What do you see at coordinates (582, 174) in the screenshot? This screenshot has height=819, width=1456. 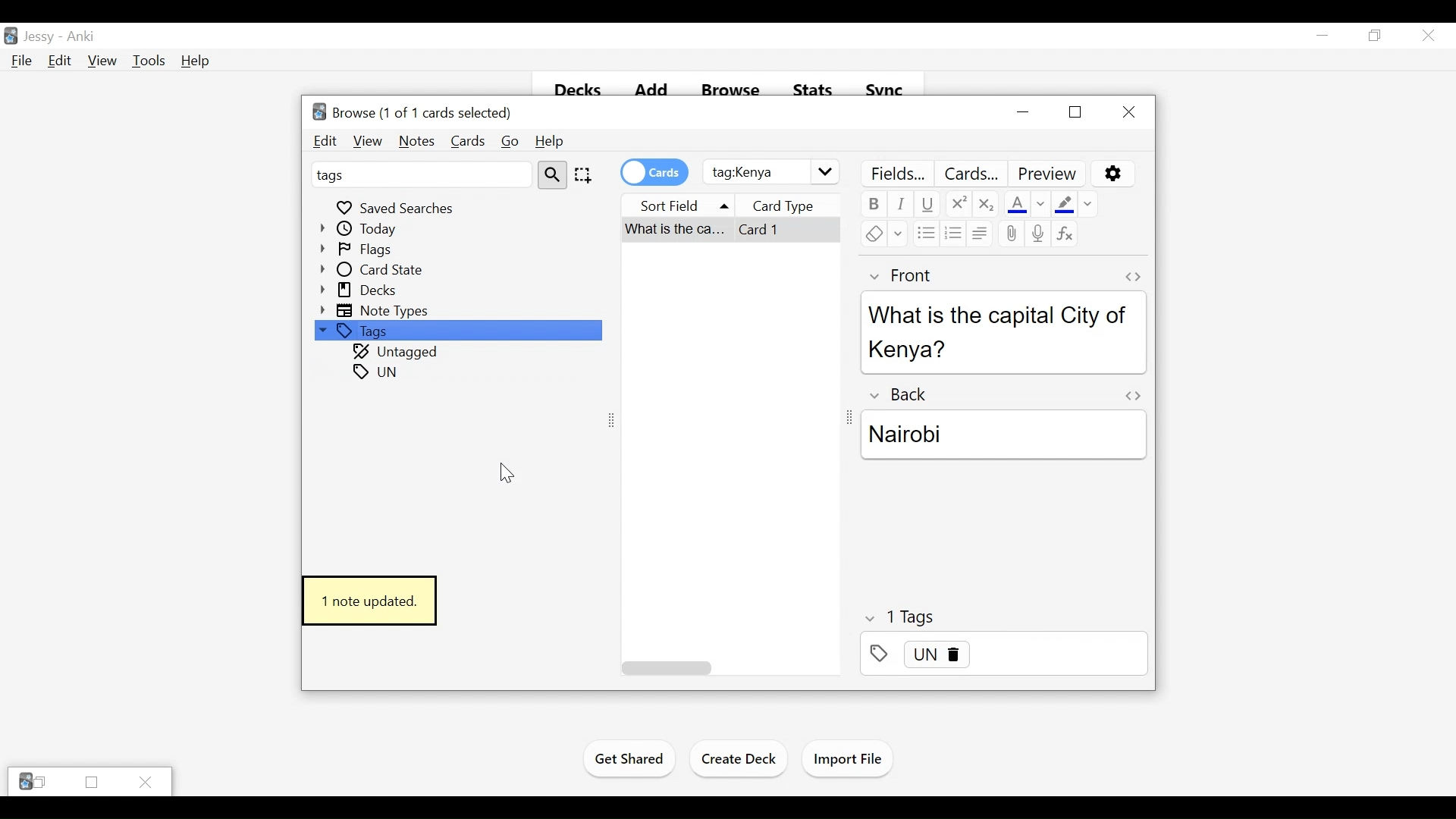 I see `Selection Tool` at bounding box center [582, 174].